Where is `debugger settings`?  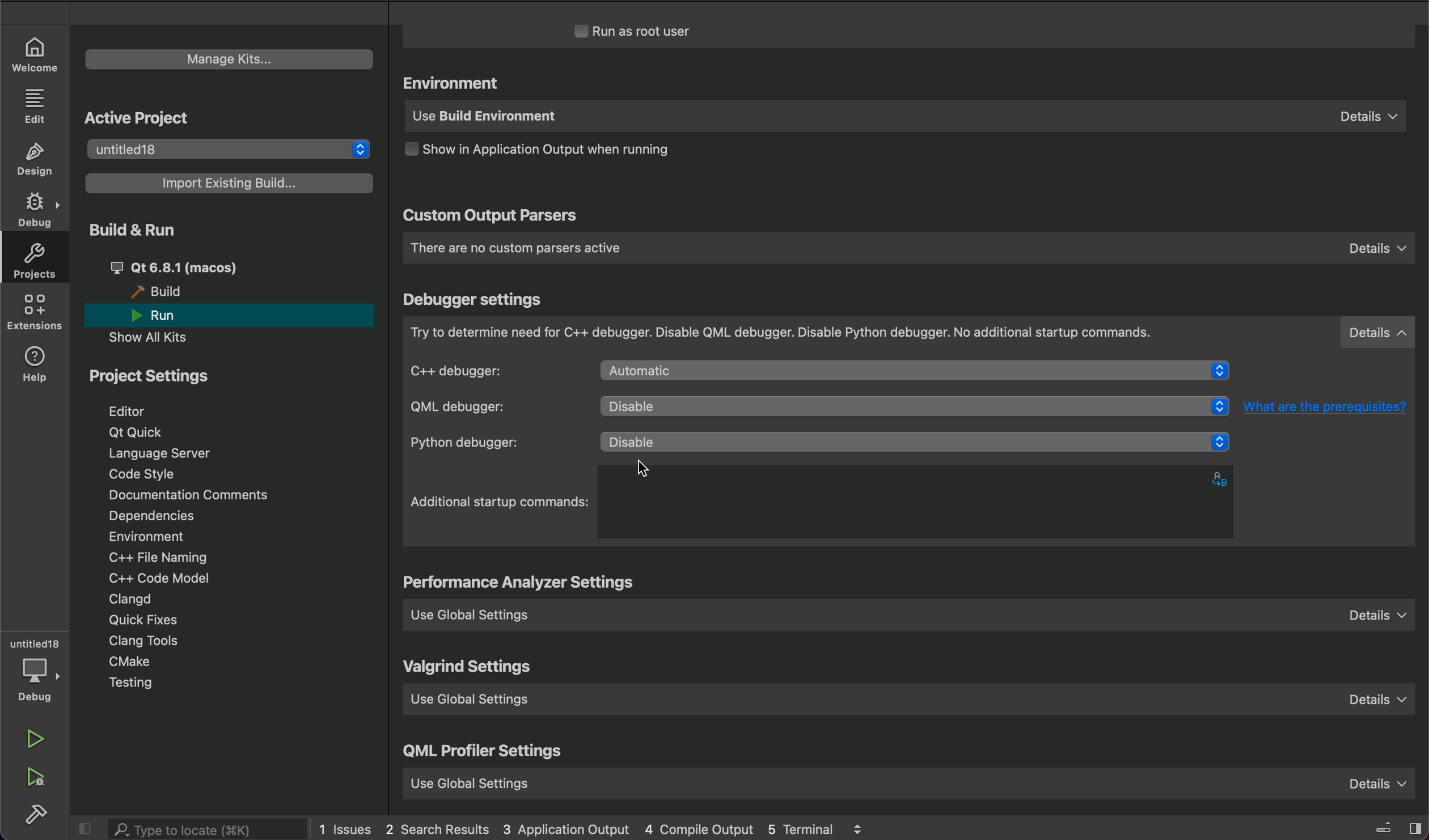
debugger settings is located at coordinates (475, 300).